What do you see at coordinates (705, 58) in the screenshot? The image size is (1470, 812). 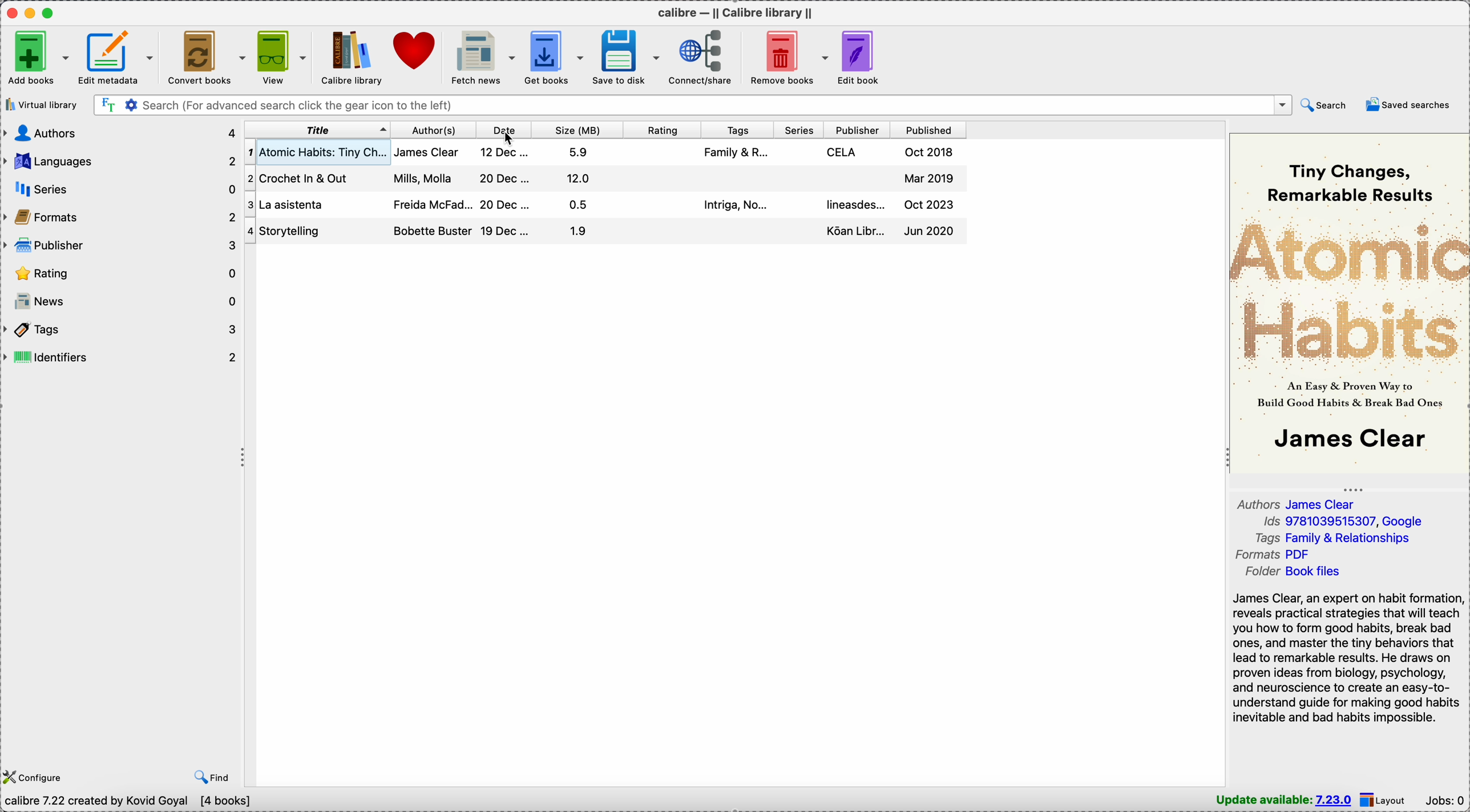 I see `connect/share` at bounding box center [705, 58].